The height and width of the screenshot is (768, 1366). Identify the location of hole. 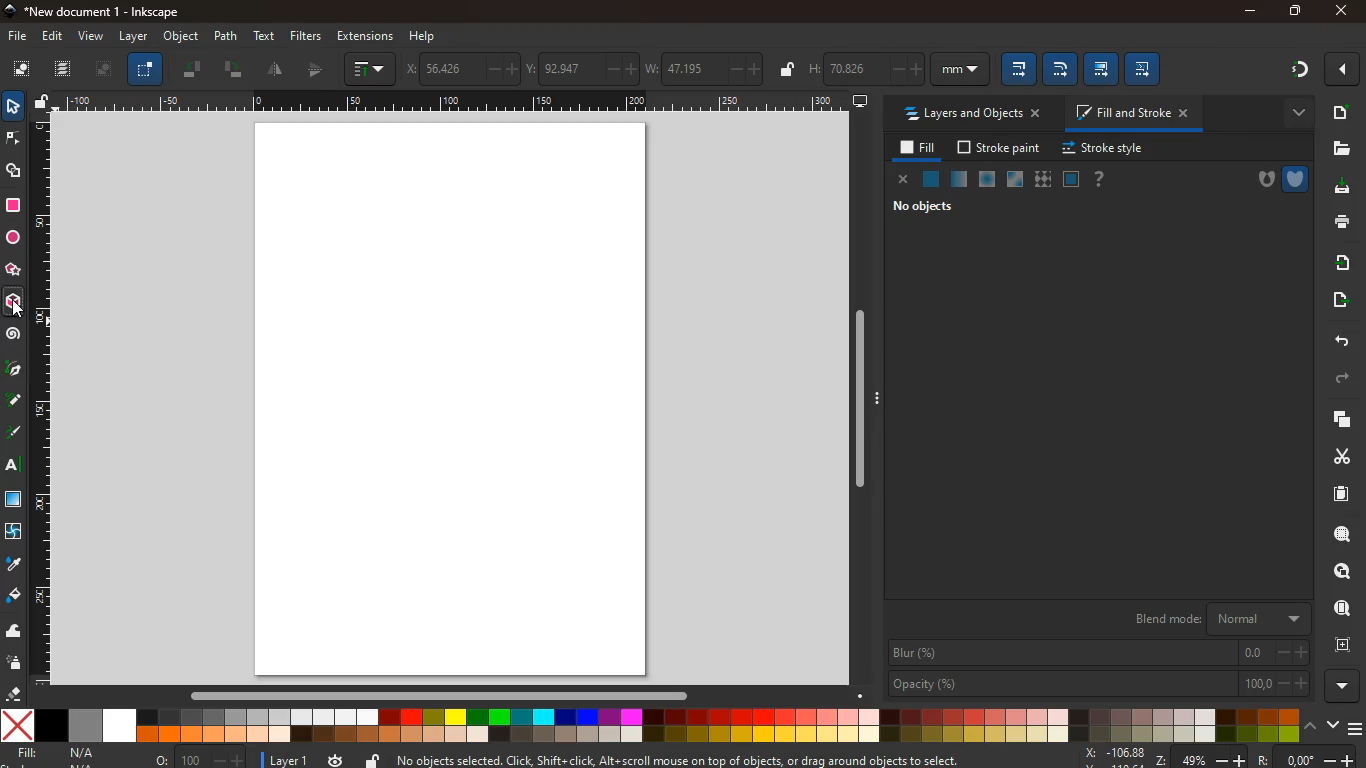
(1259, 180).